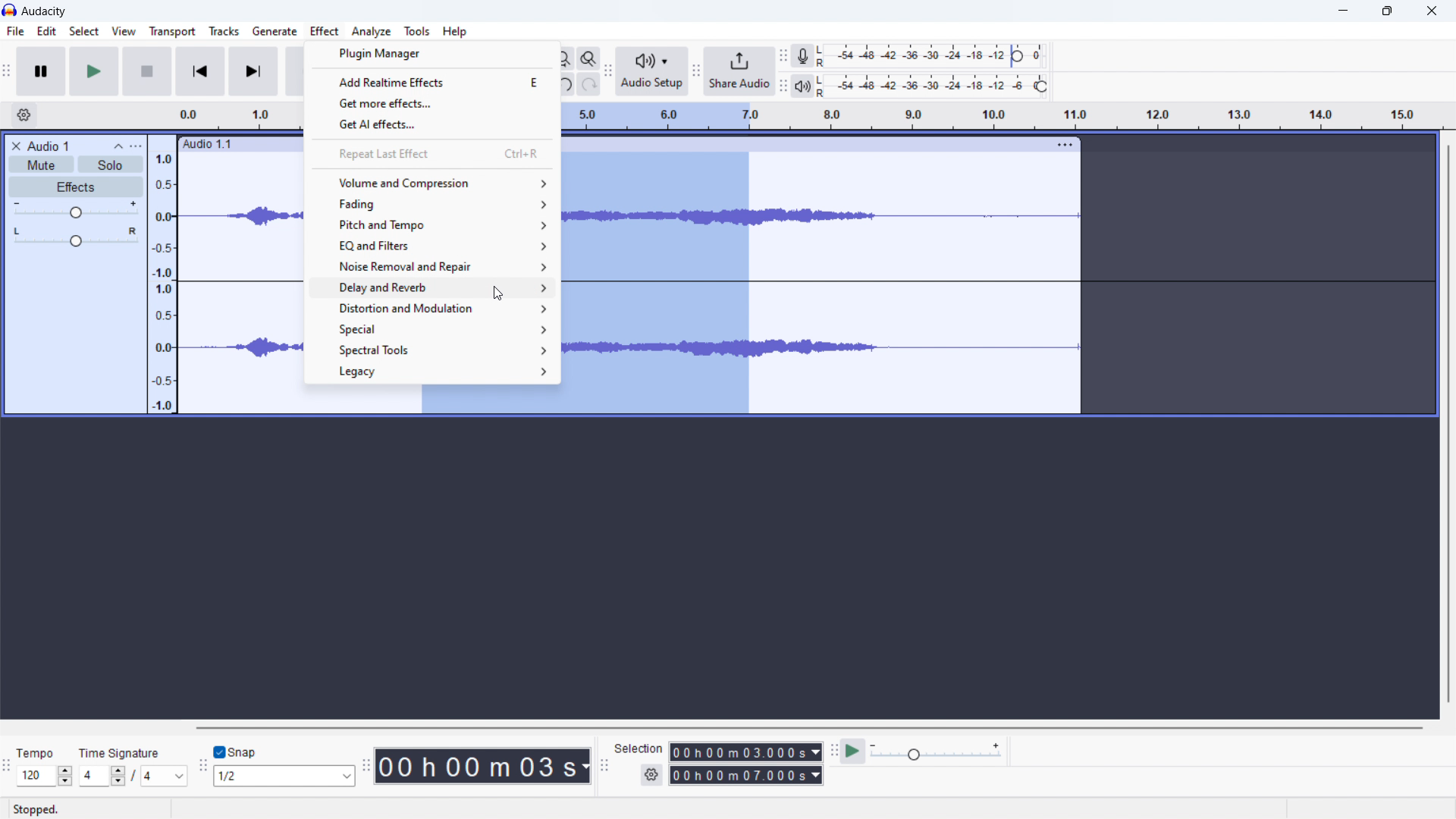  What do you see at coordinates (567, 83) in the screenshot?
I see `undo` at bounding box center [567, 83].